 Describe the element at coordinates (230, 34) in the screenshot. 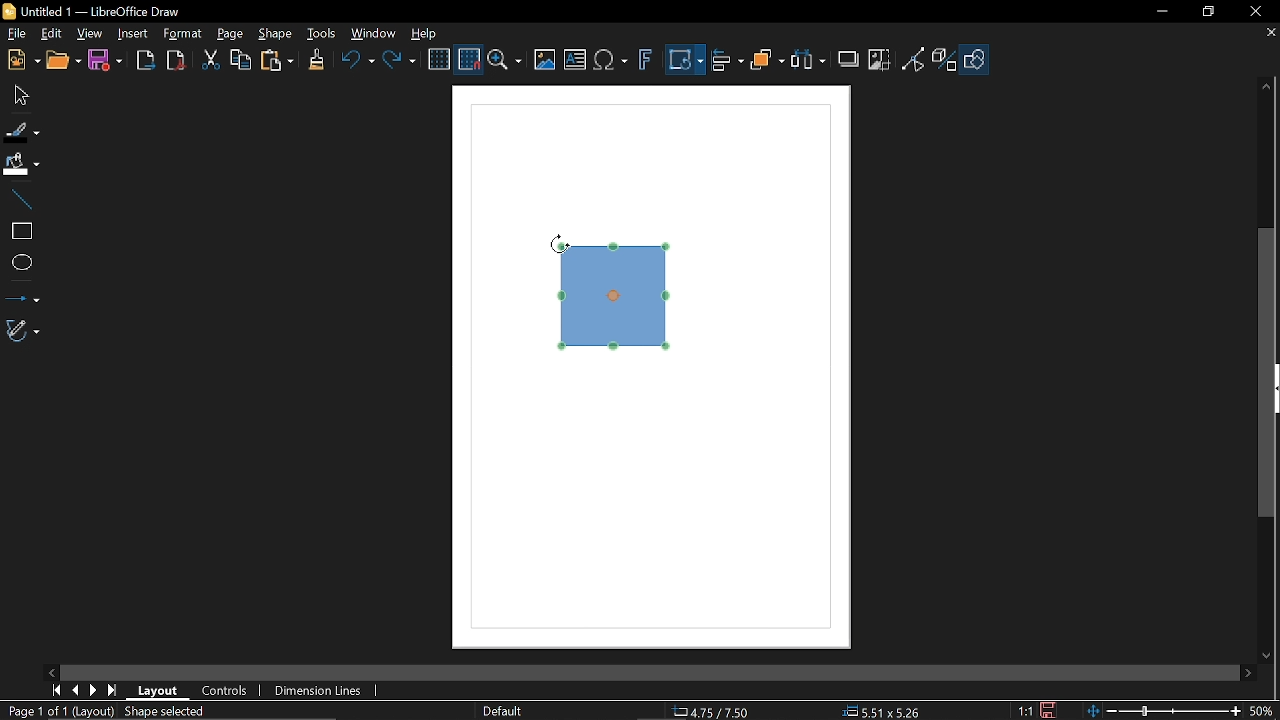

I see `Page` at that location.